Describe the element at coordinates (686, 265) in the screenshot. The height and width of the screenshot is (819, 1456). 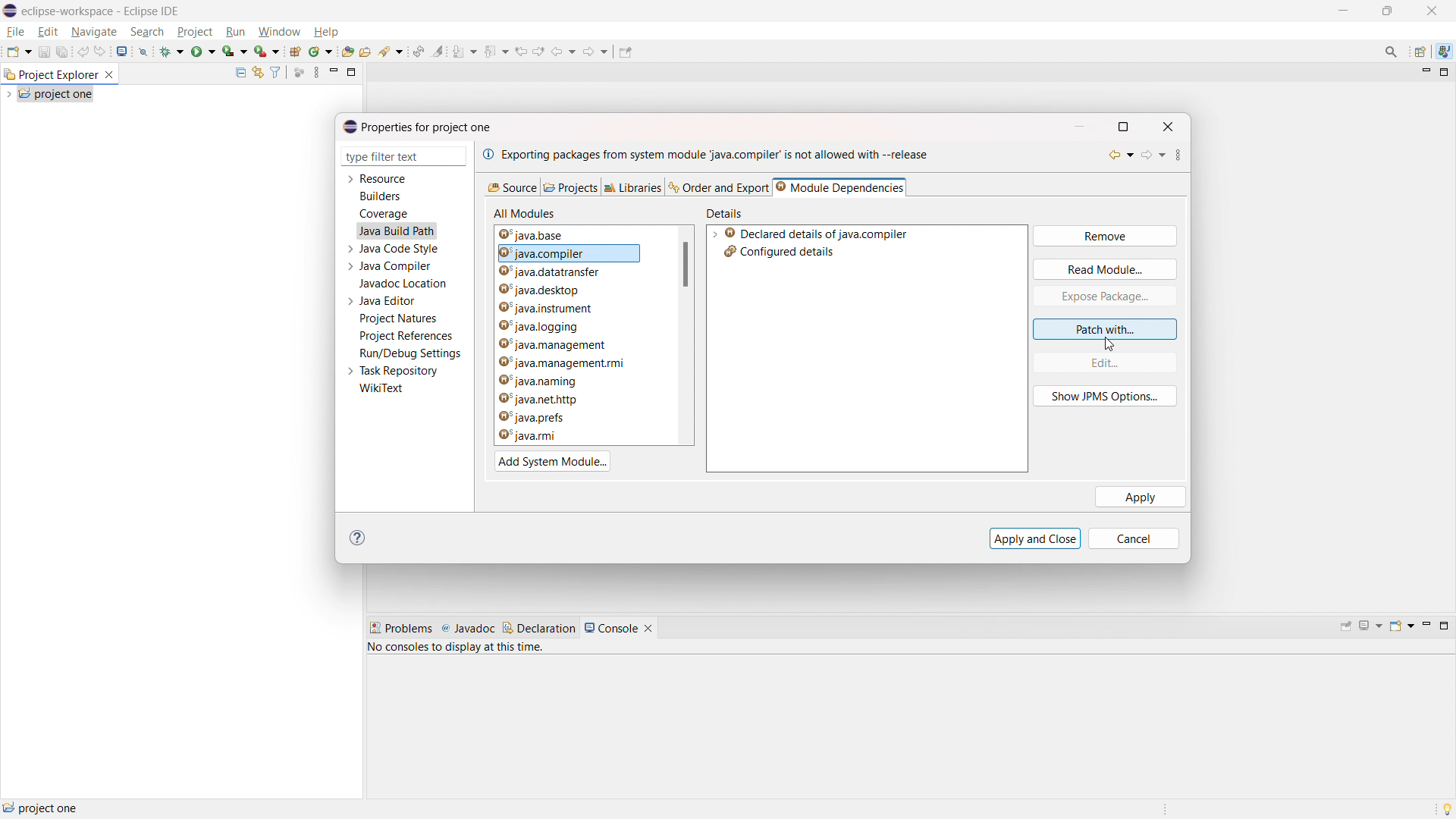
I see `scrollbar` at that location.